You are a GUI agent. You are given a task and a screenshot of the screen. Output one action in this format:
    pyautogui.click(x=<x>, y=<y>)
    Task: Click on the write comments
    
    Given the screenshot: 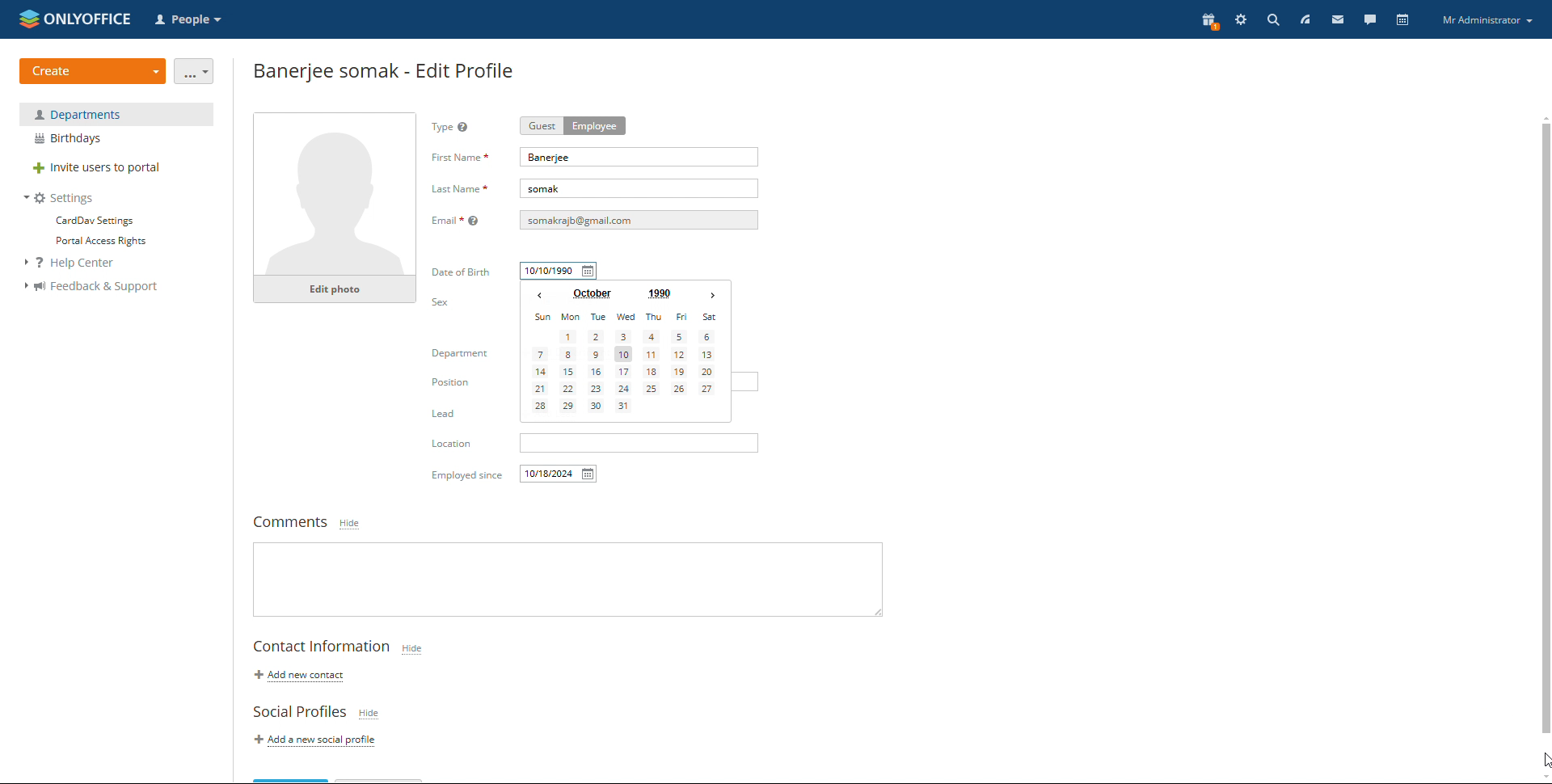 What is the action you would take?
    pyautogui.click(x=567, y=580)
    